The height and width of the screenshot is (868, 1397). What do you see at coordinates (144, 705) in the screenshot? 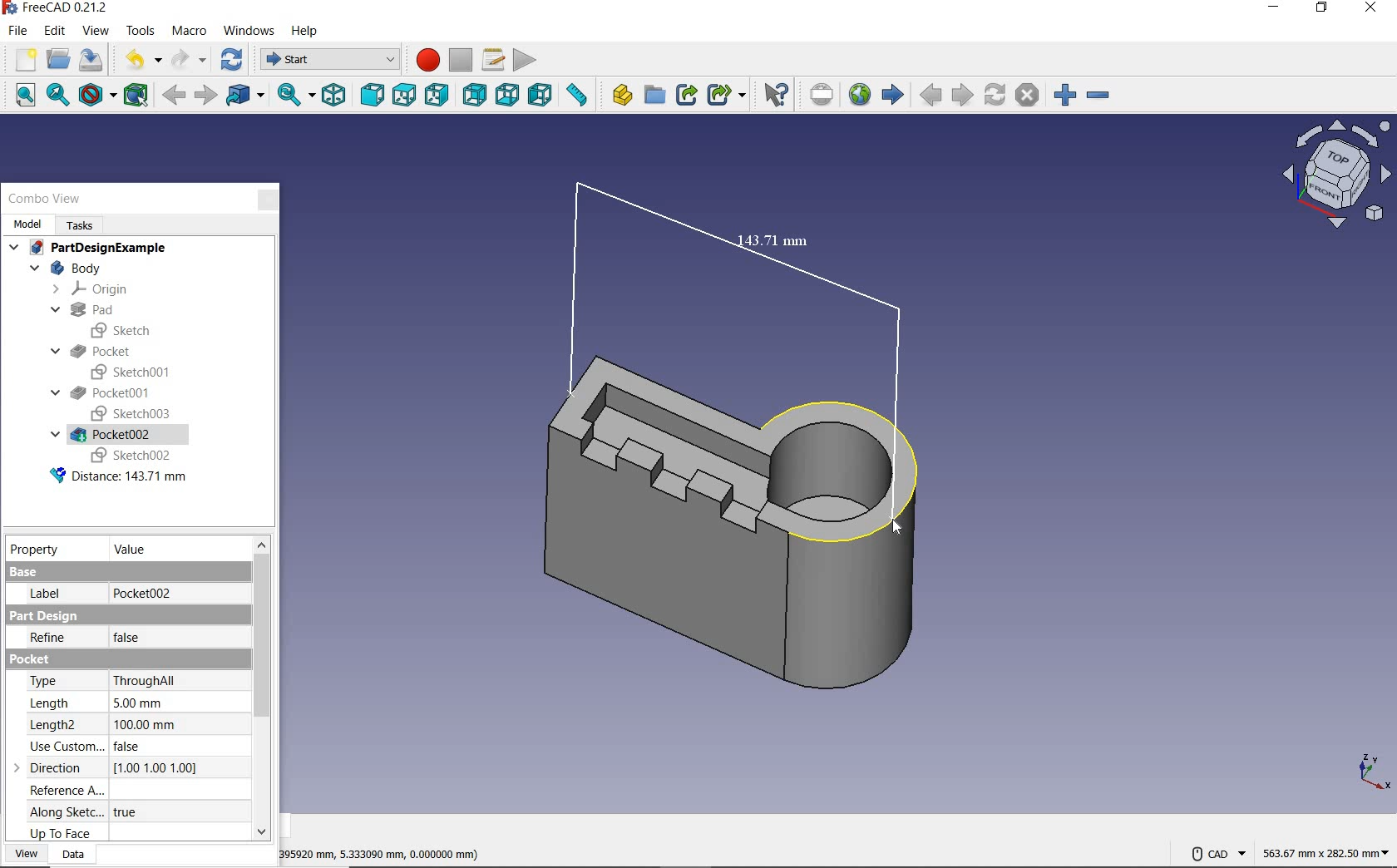
I see `5.00 mm` at bounding box center [144, 705].